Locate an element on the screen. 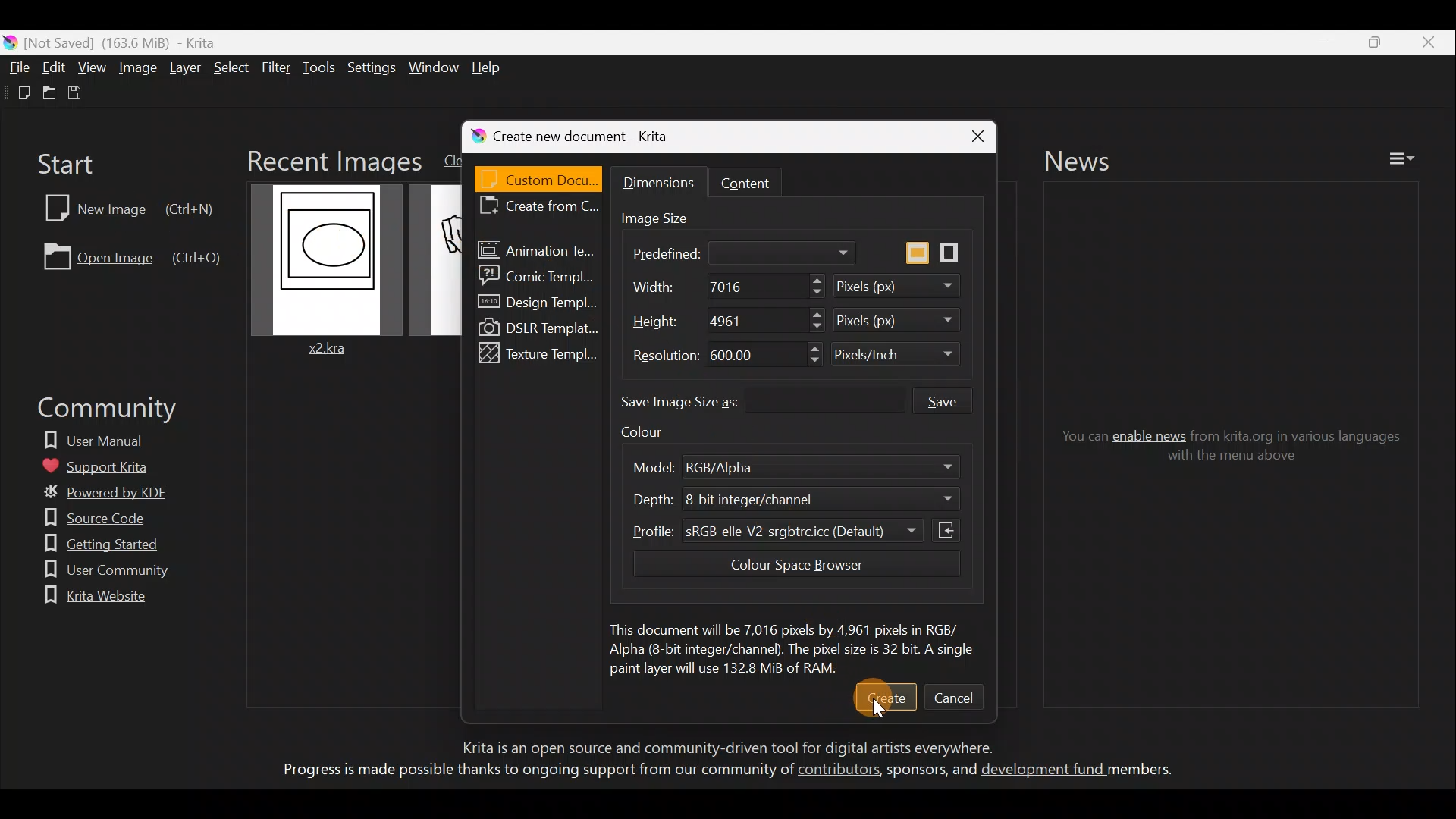 This screenshot has width=1456, height=819. Resolution is located at coordinates (661, 356).